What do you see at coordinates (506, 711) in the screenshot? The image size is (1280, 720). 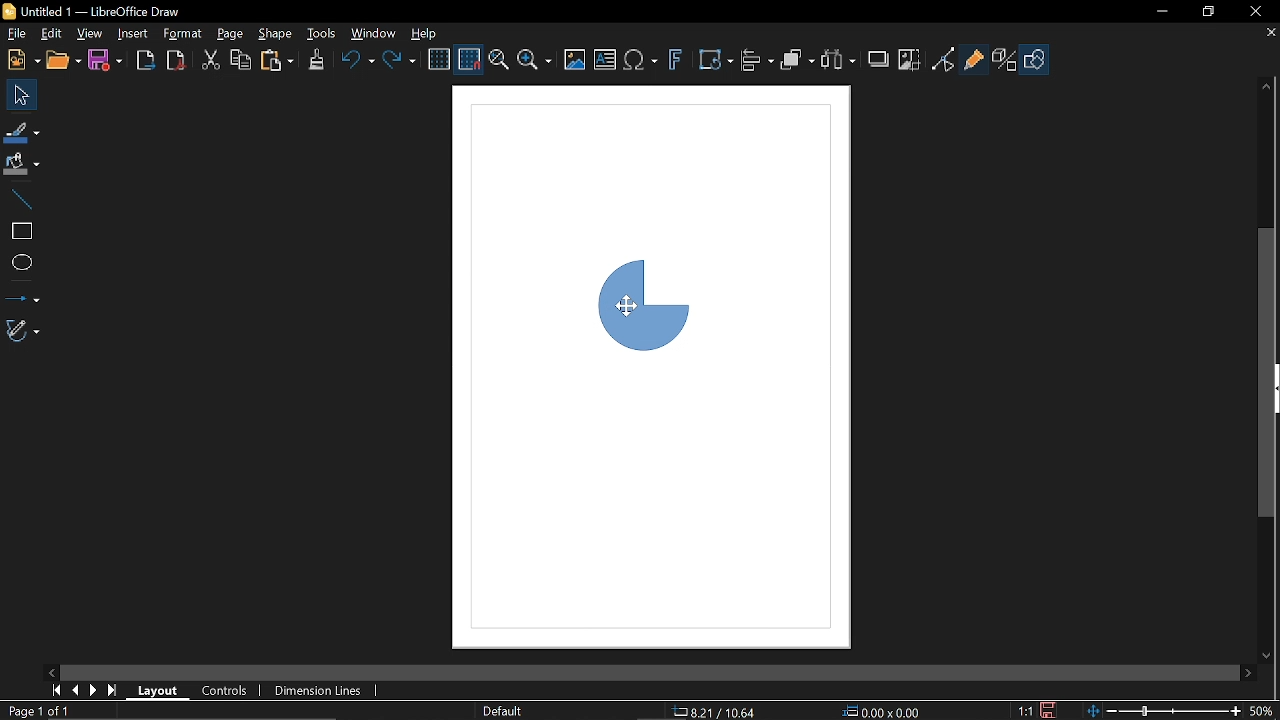 I see `Default (Slide master name)` at bounding box center [506, 711].